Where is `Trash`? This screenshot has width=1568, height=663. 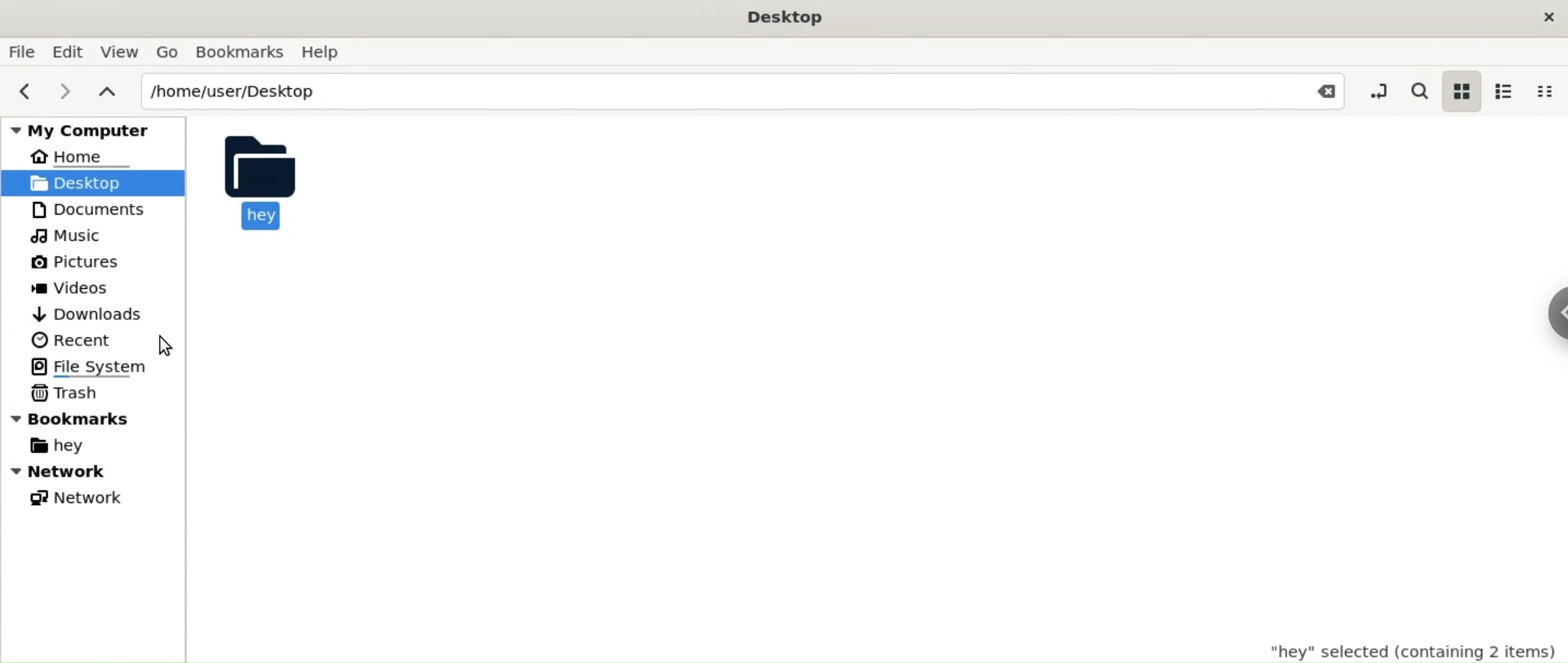 Trash is located at coordinates (67, 392).